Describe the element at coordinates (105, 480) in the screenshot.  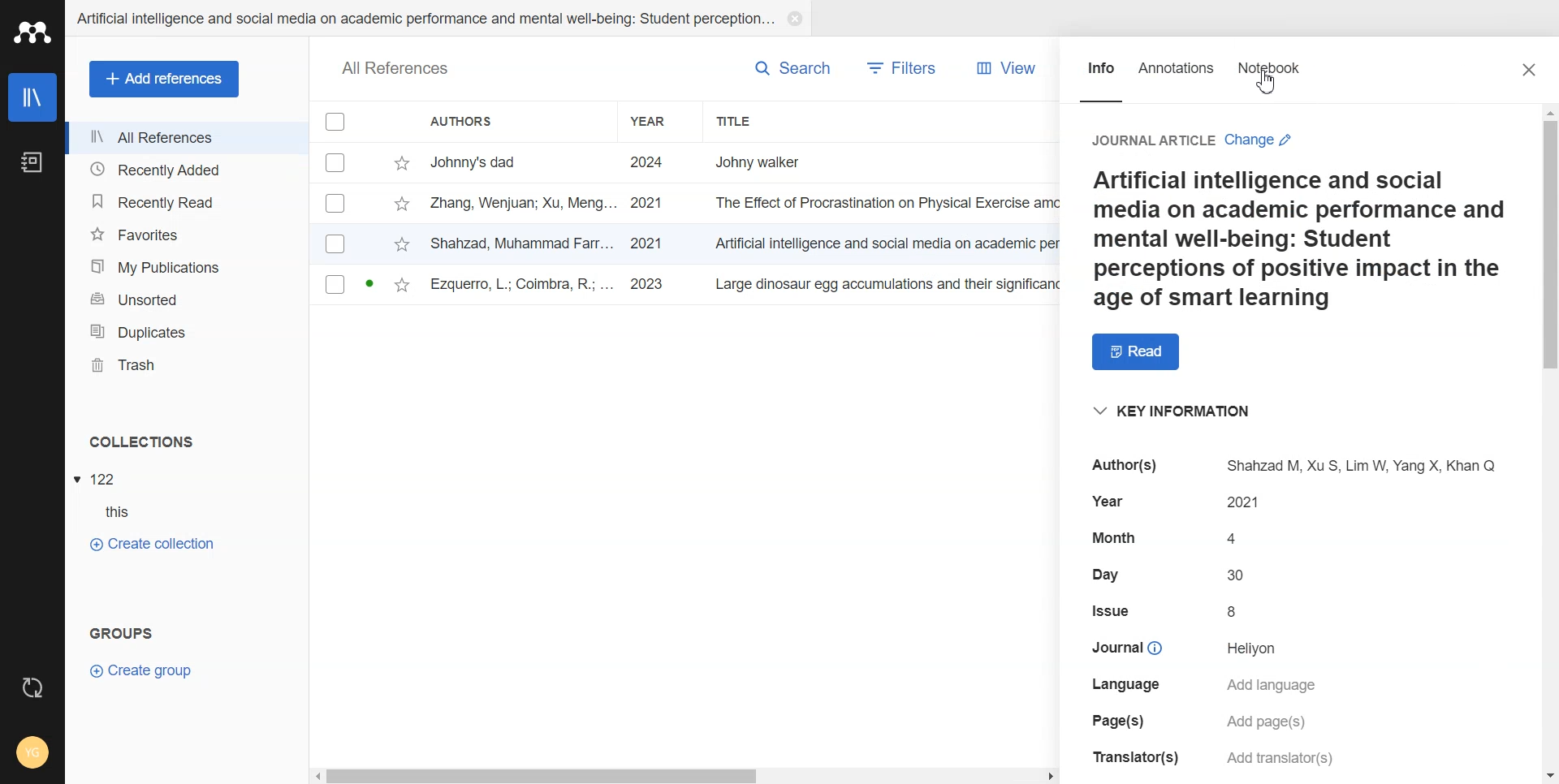
I see `122` at that location.